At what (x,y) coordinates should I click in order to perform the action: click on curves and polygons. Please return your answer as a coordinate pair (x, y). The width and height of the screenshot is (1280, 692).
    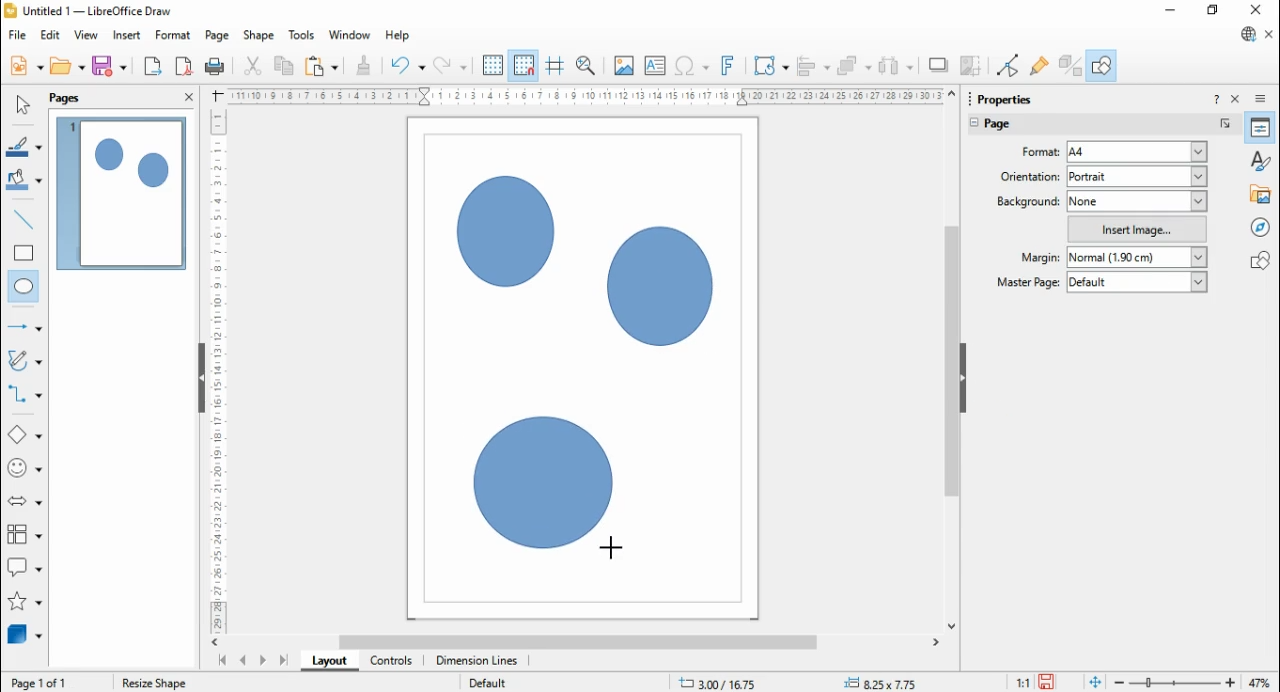
    Looking at the image, I should click on (26, 361).